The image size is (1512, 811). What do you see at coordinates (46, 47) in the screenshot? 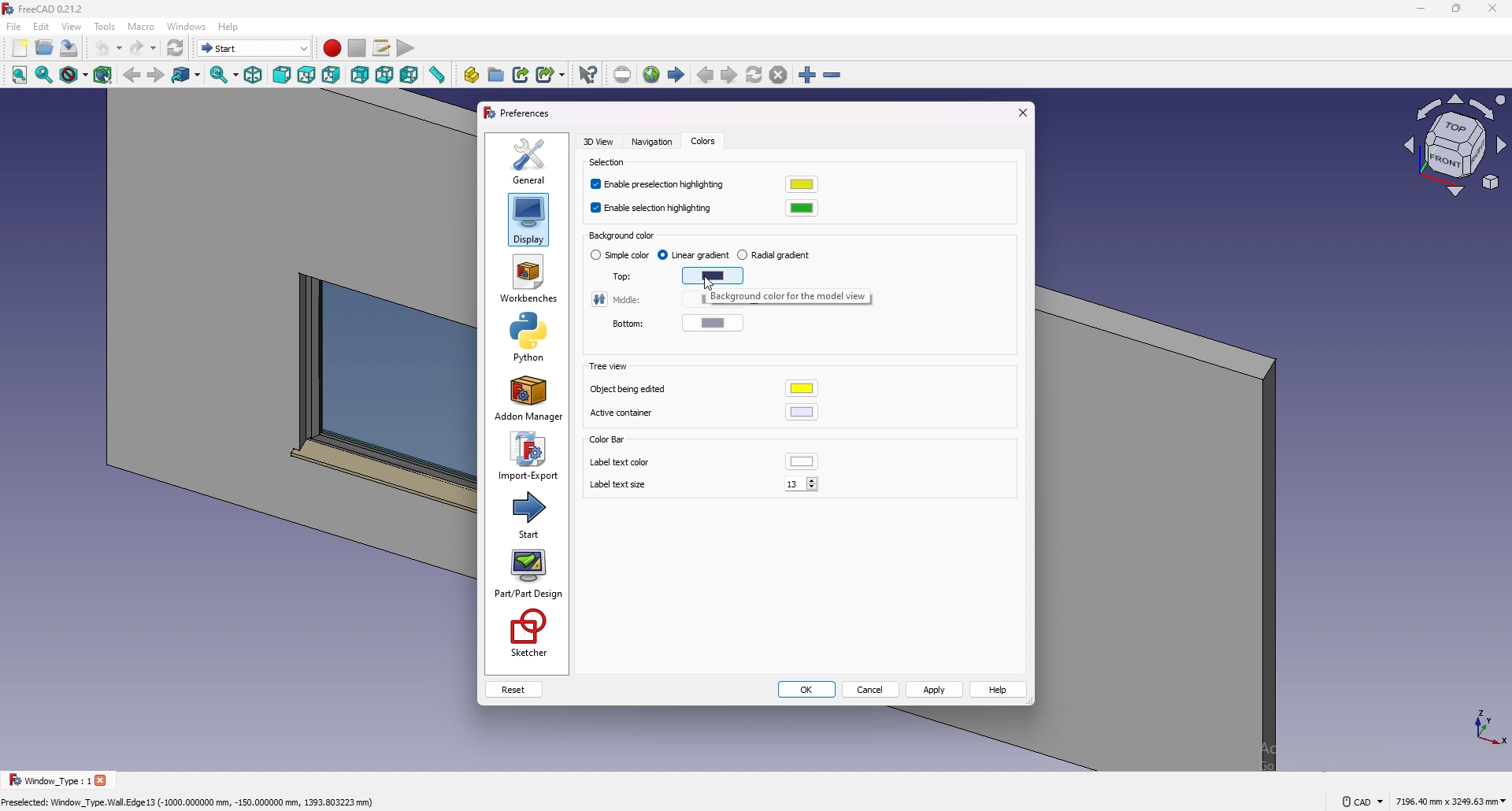
I see `open` at bounding box center [46, 47].